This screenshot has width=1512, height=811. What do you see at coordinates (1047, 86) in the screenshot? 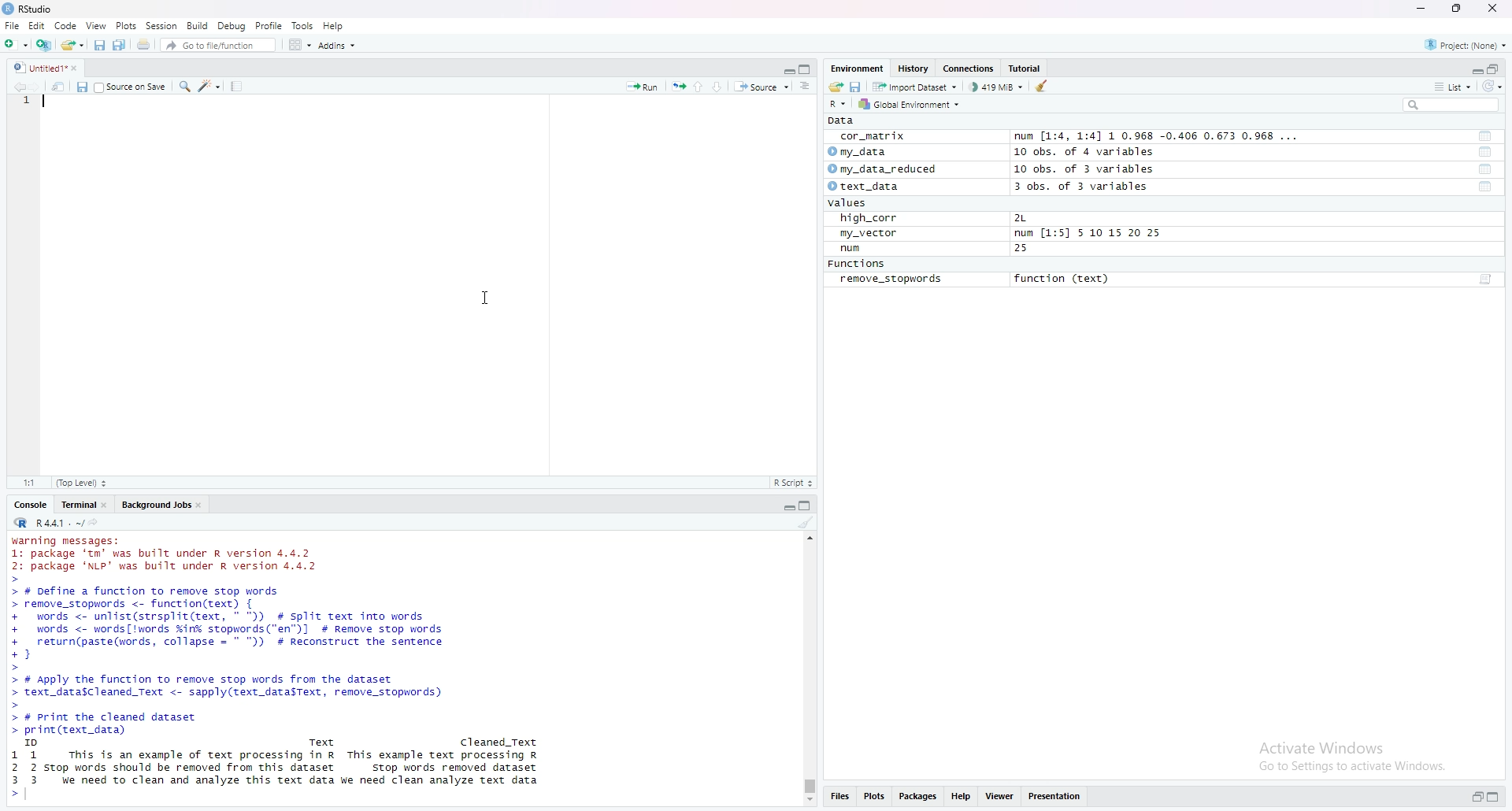
I see `Clean` at bounding box center [1047, 86].